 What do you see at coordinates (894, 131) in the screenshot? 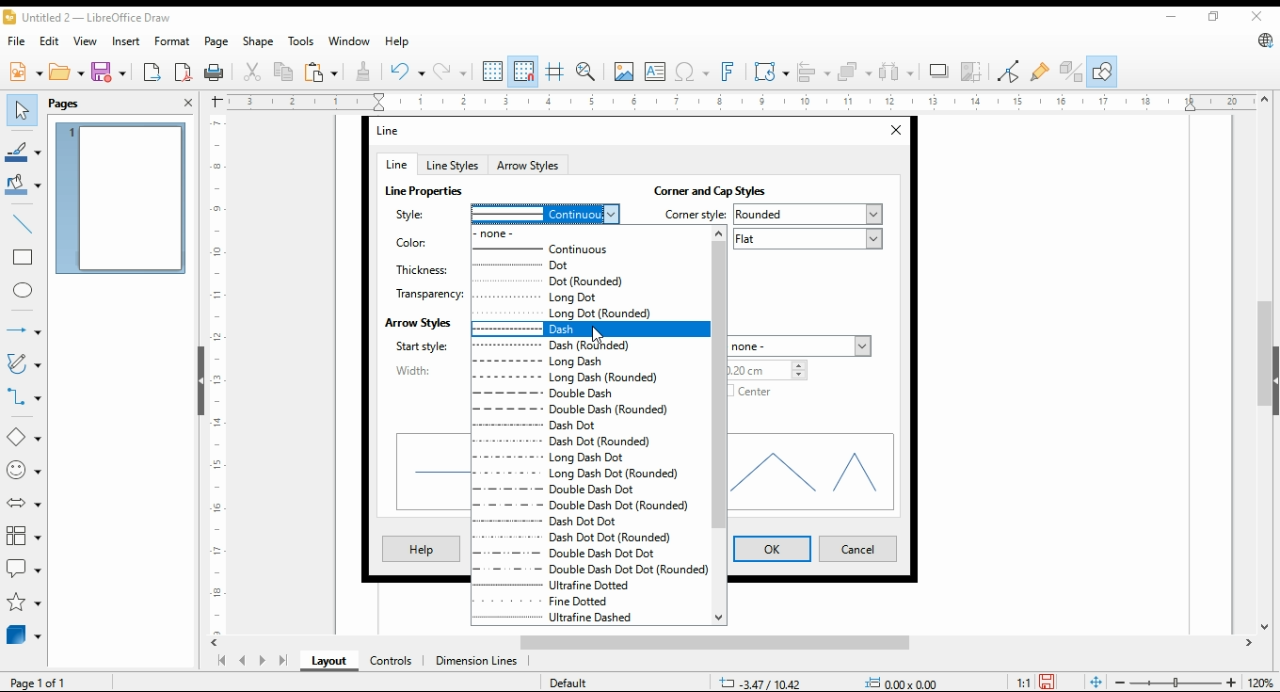
I see `close window` at bounding box center [894, 131].